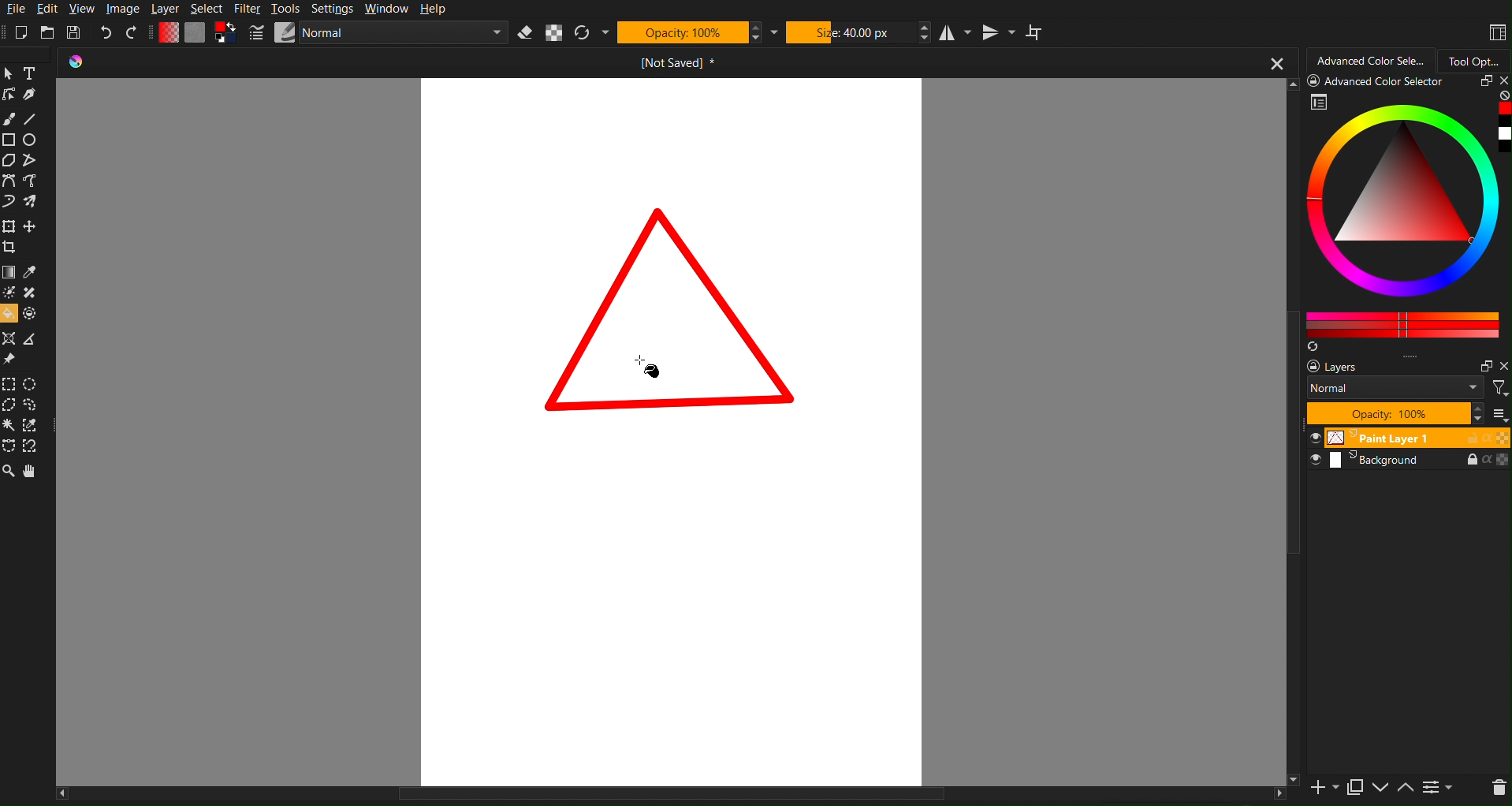 The height and width of the screenshot is (806, 1512). What do you see at coordinates (48, 32) in the screenshot?
I see `Open` at bounding box center [48, 32].